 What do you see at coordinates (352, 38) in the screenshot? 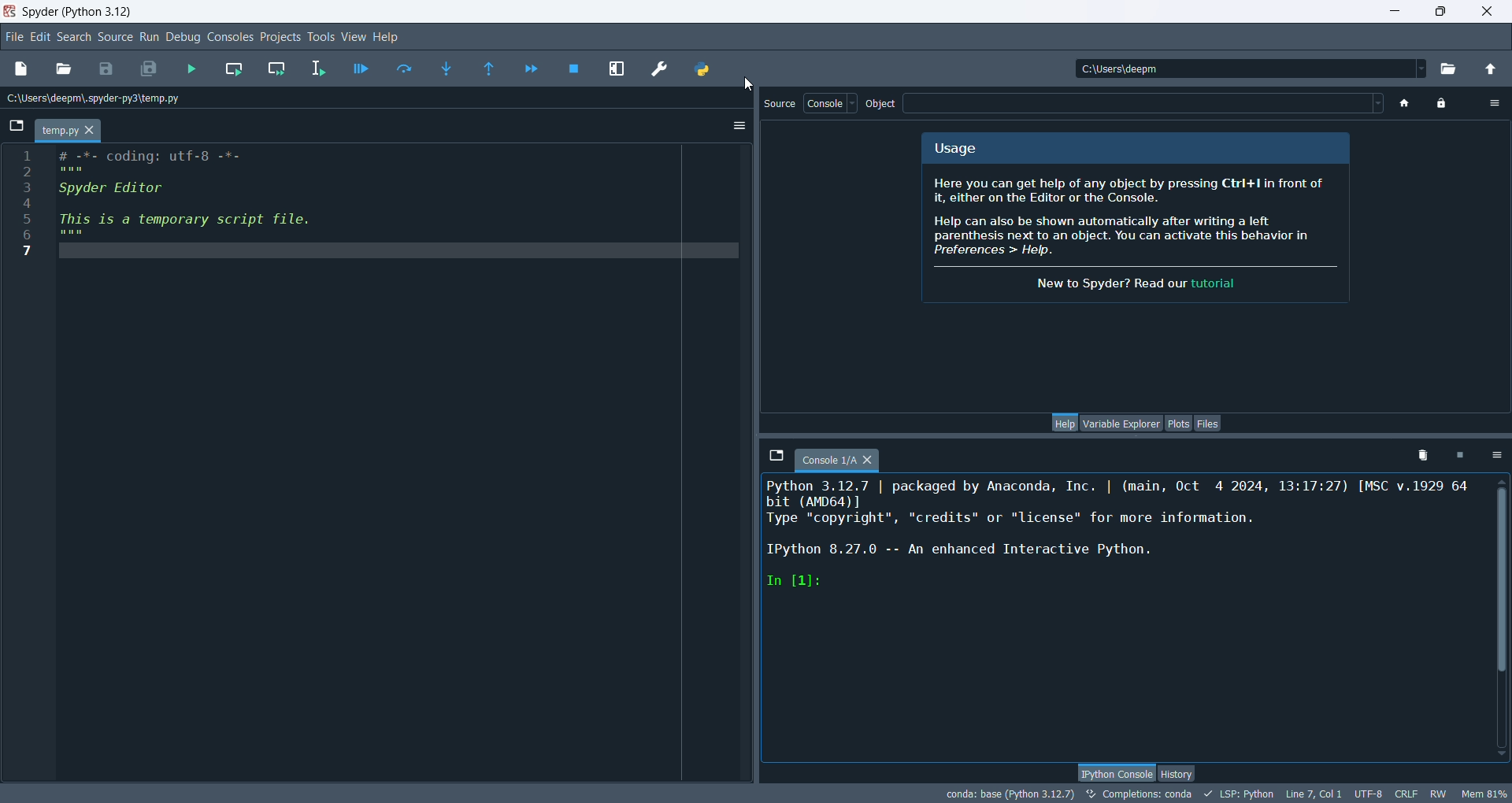
I see `view` at bounding box center [352, 38].